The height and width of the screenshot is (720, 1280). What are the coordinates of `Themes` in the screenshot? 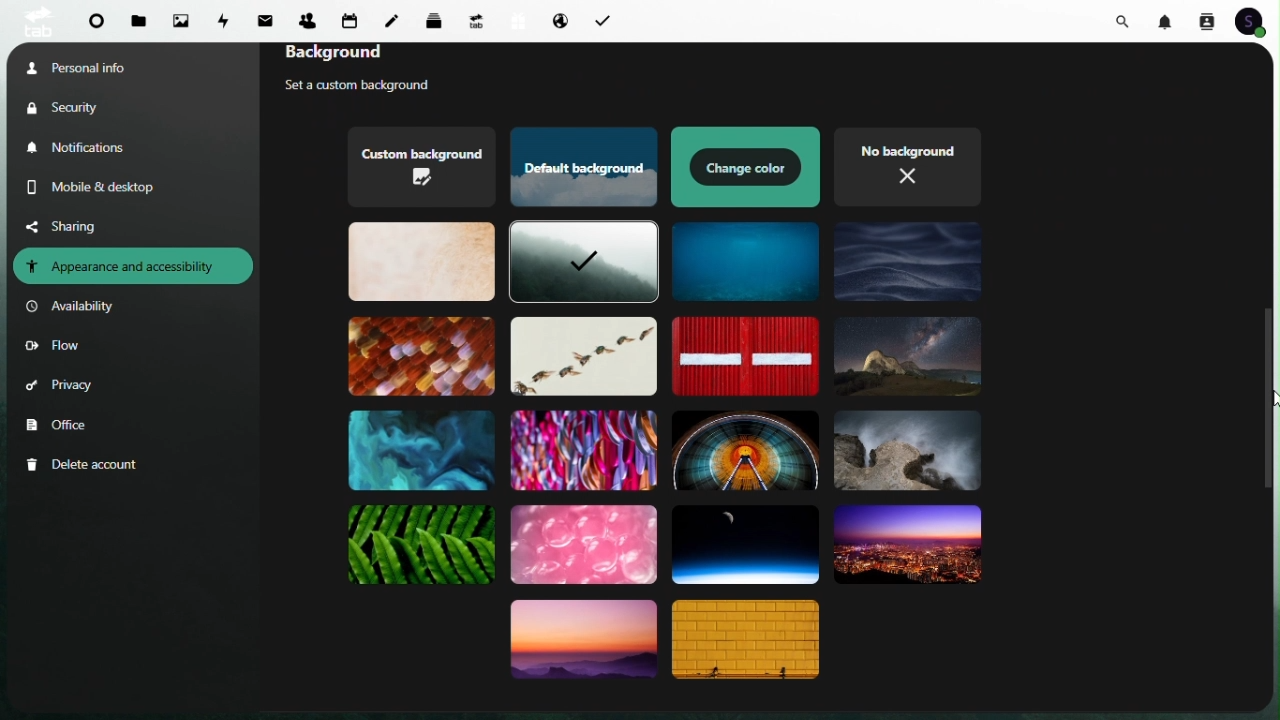 It's located at (904, 545).